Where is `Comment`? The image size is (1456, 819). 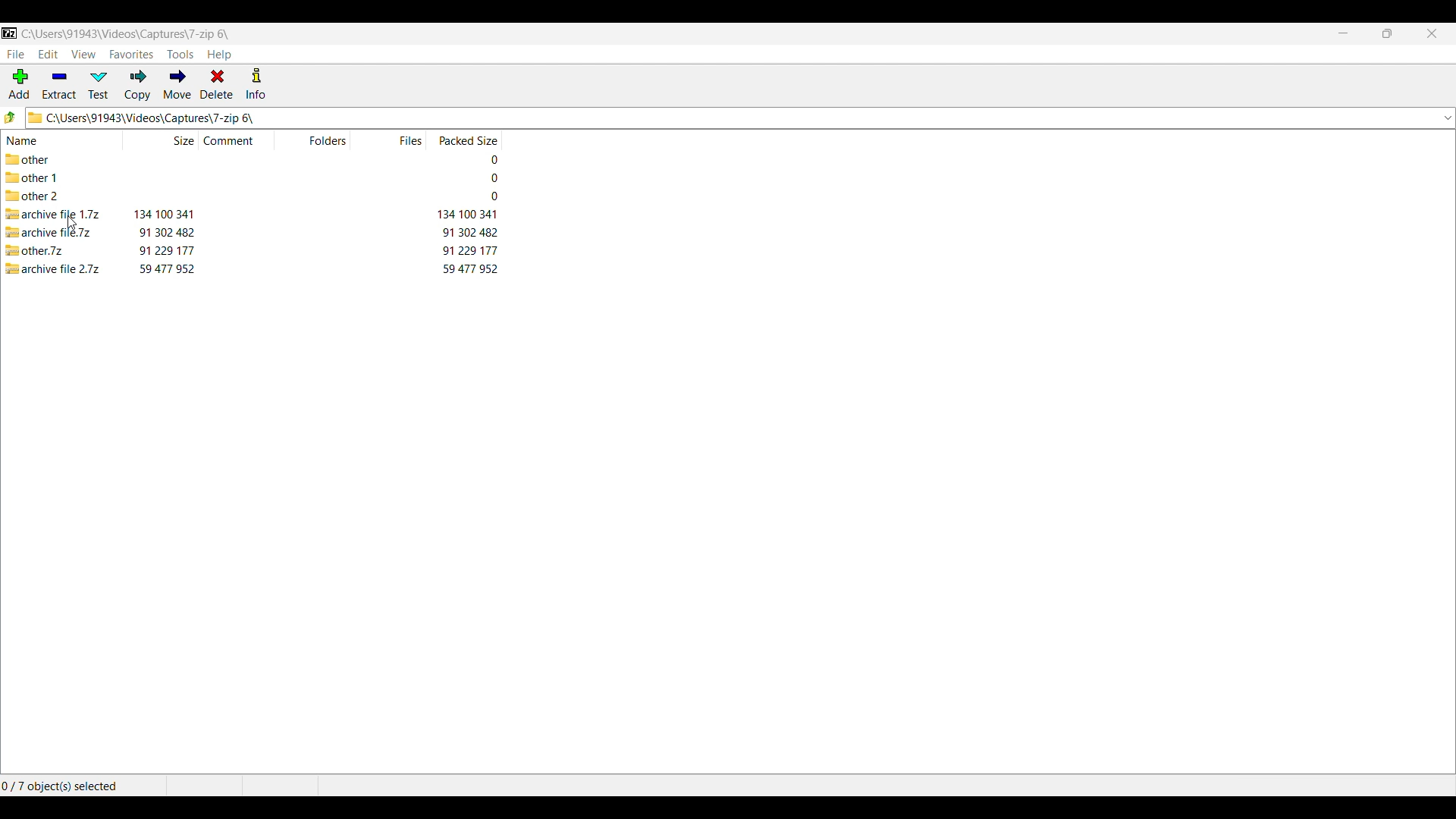
Comment is located at coordinates (233, 140).